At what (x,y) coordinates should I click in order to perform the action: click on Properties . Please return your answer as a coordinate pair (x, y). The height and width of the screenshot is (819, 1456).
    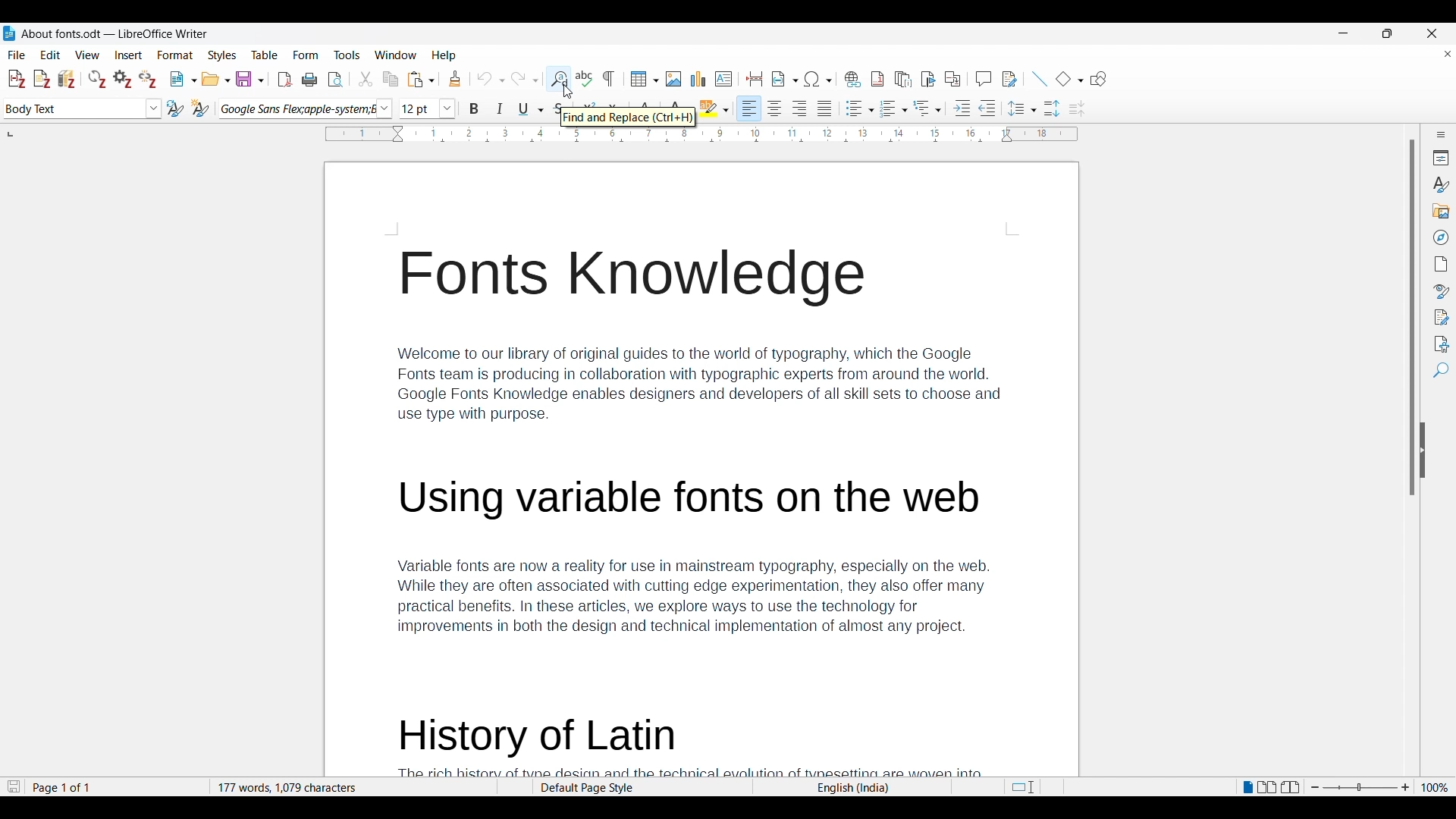
    Looking at the image, I should click on (1439, 158).